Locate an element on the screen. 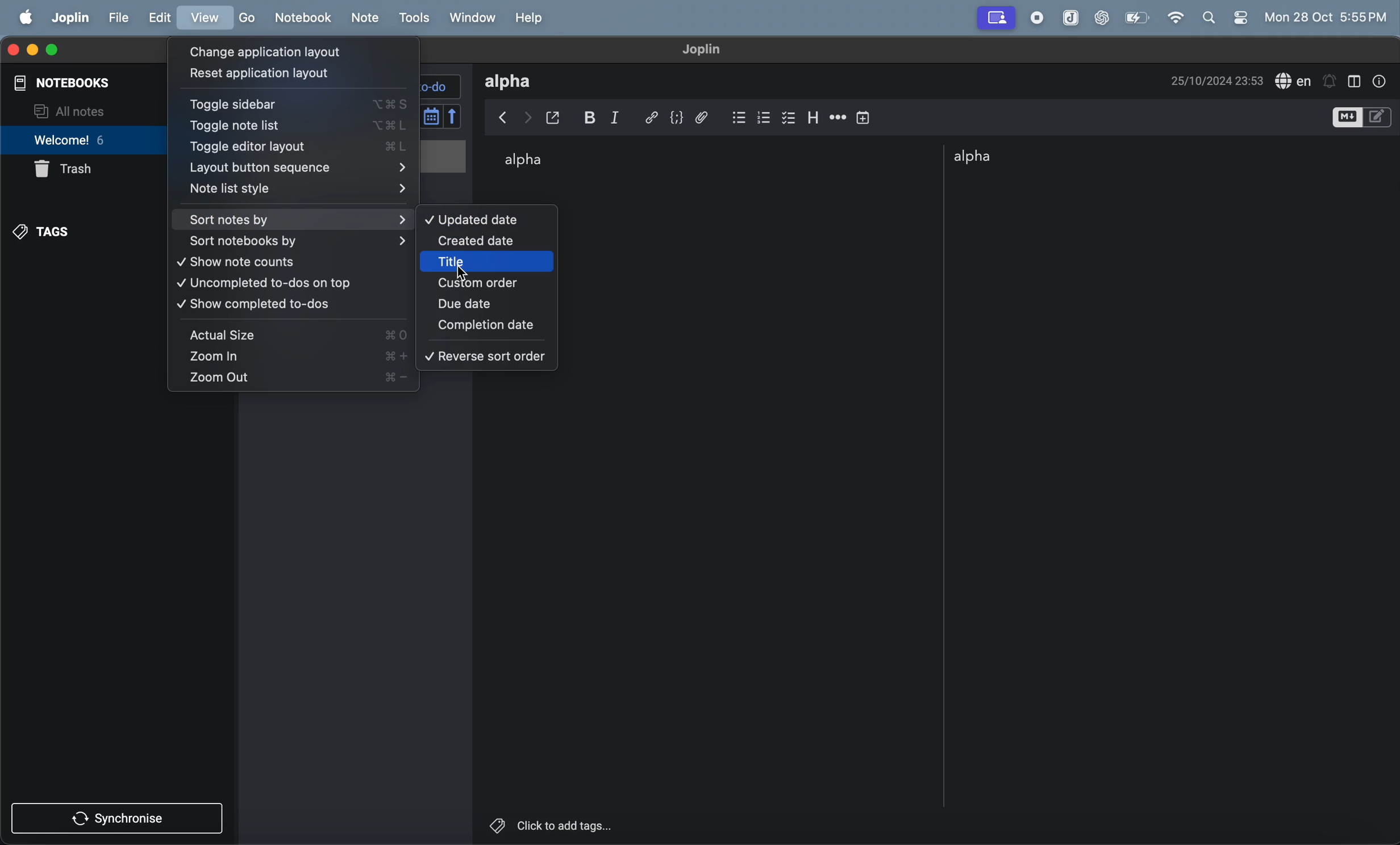 This screenshot has height=845, width=1400. layout button sequence is located at coordinates (299, 169).